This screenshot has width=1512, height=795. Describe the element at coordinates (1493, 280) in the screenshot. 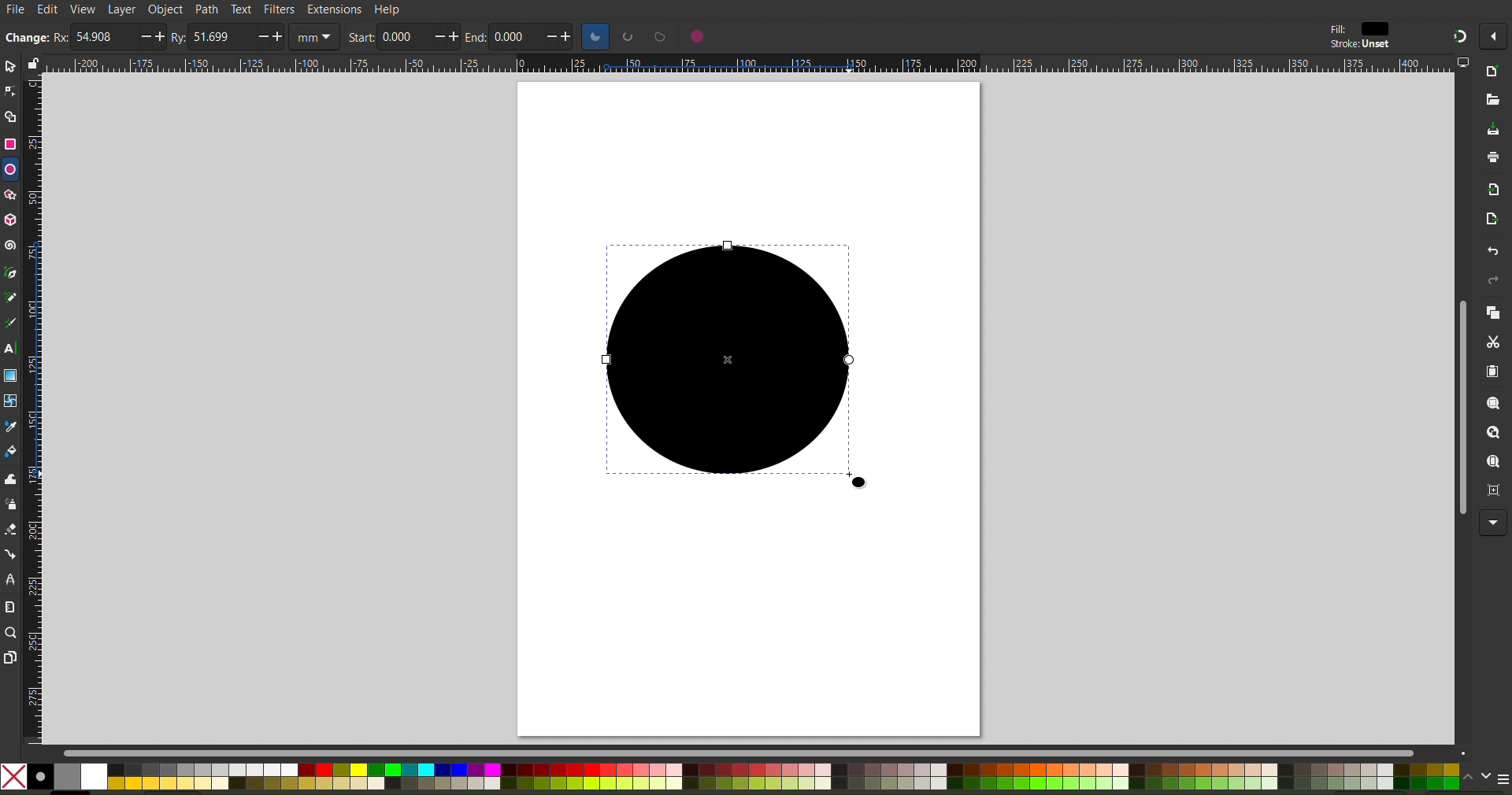

I see `Redo` at that location.